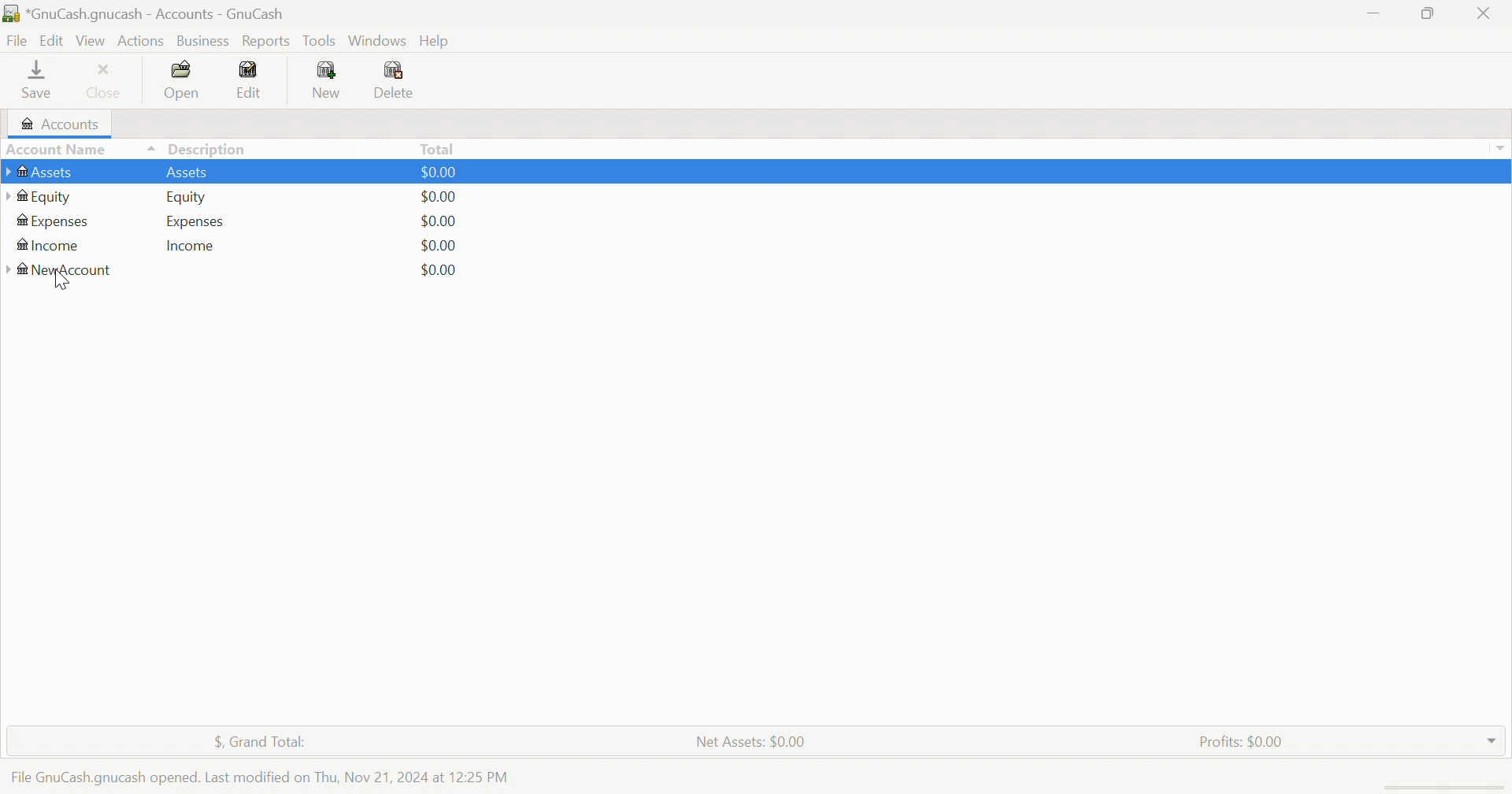  I want to click on Business, so click(206, 42).